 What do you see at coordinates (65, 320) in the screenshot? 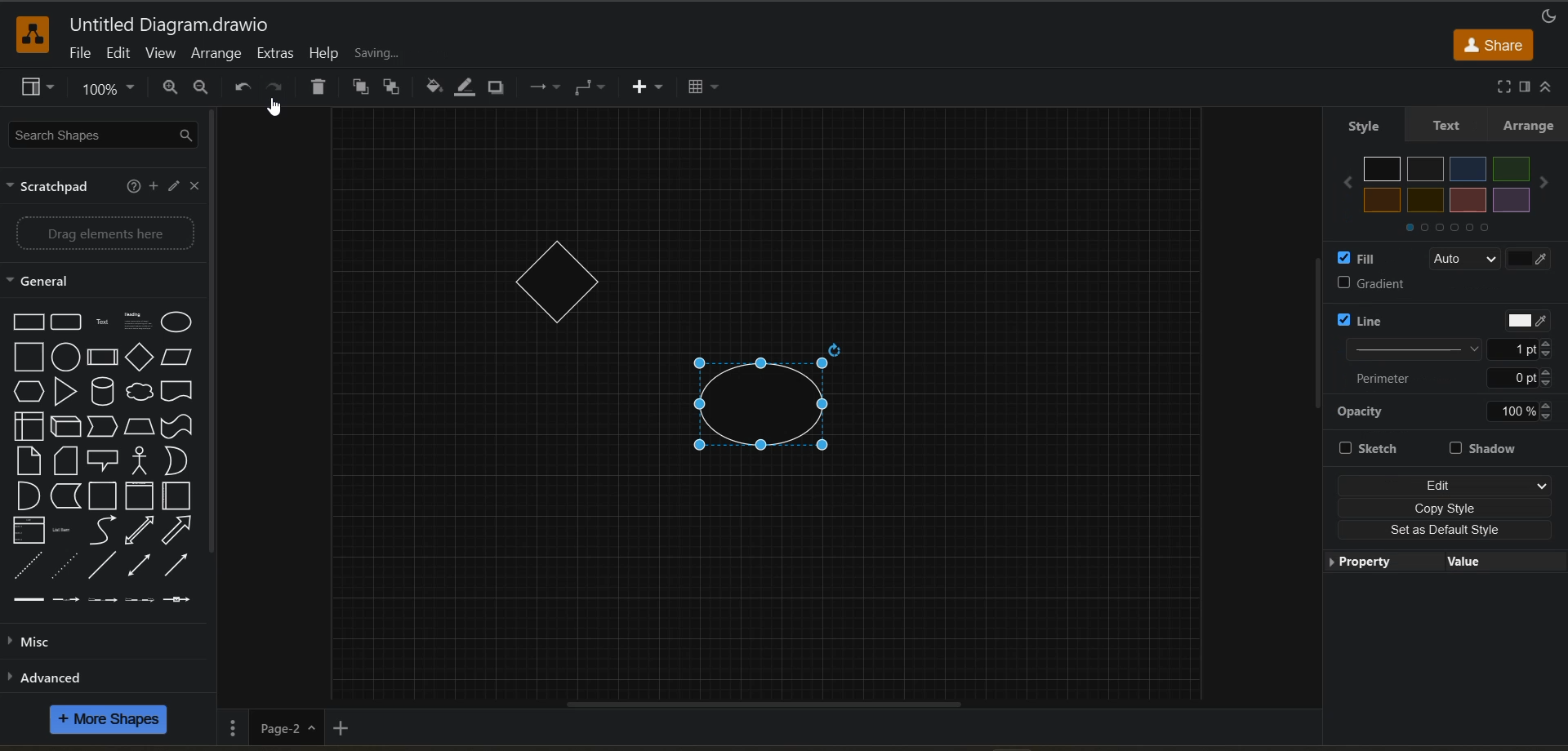
I see `rounded rectangle` at bounding box center [65, 320].